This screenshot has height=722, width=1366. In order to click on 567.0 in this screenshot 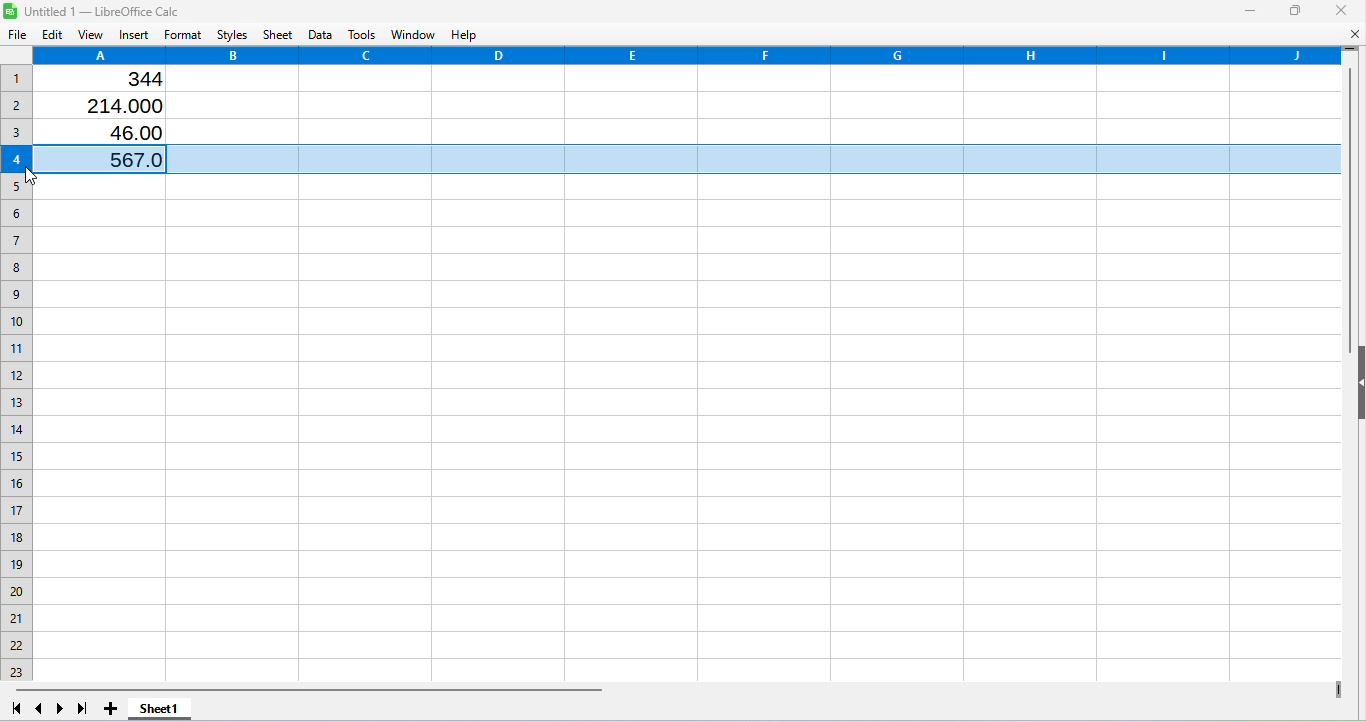, I will do `click(117, 159)`.